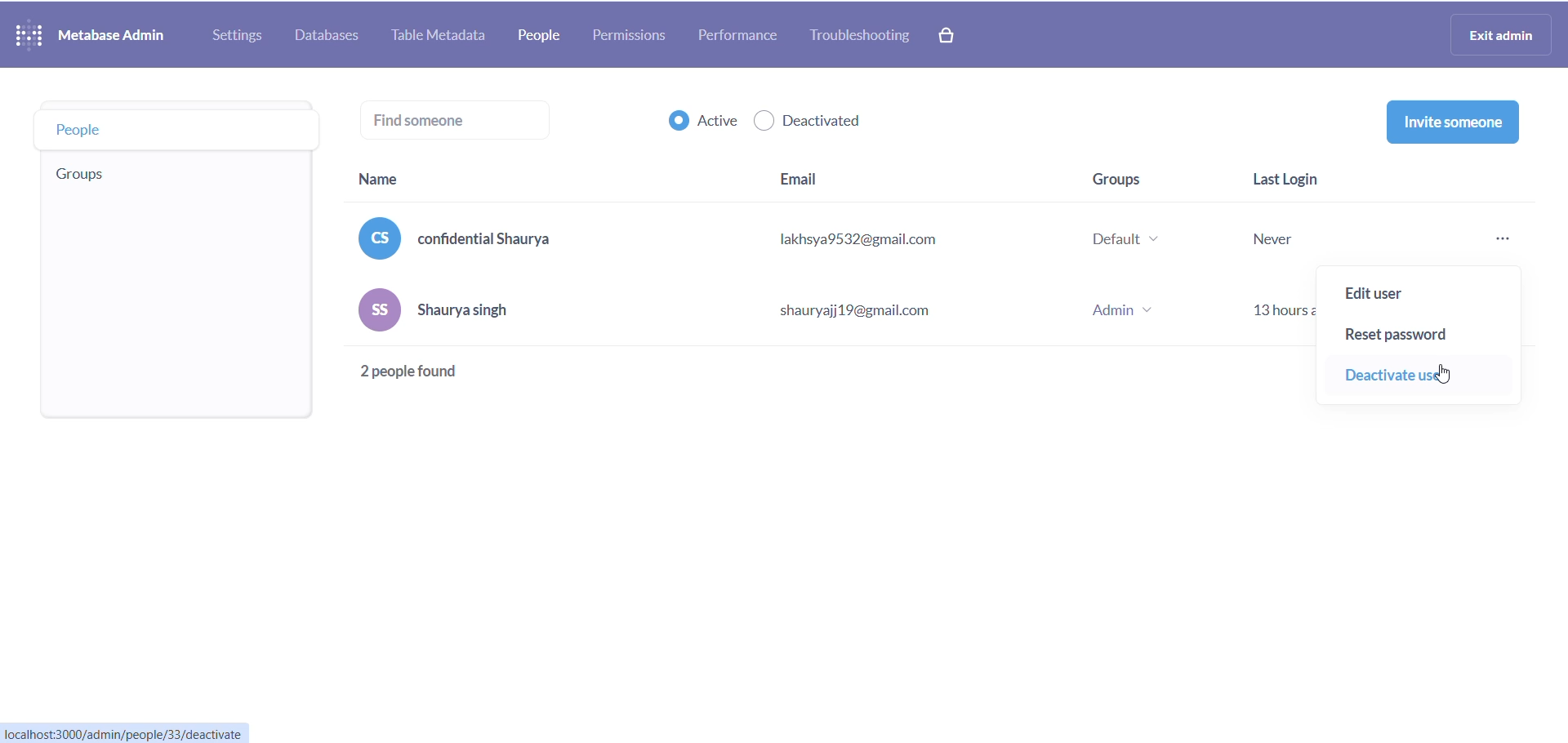 The height and width of the screenshot is (743, 1568). I want to click on settings, so click(239, 34).